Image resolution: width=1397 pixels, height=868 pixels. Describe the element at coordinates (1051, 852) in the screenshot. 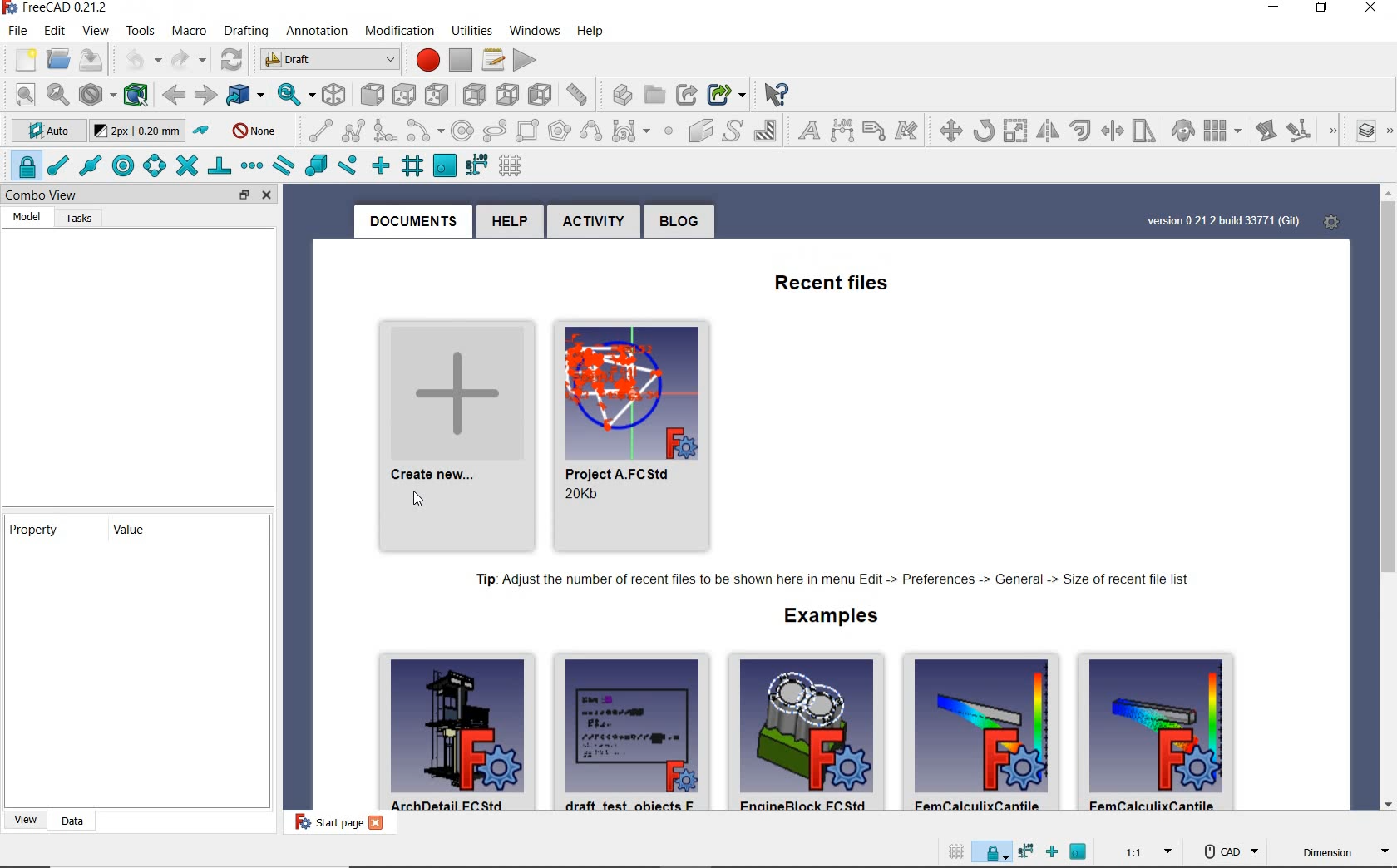

I see `+ ` at that location.